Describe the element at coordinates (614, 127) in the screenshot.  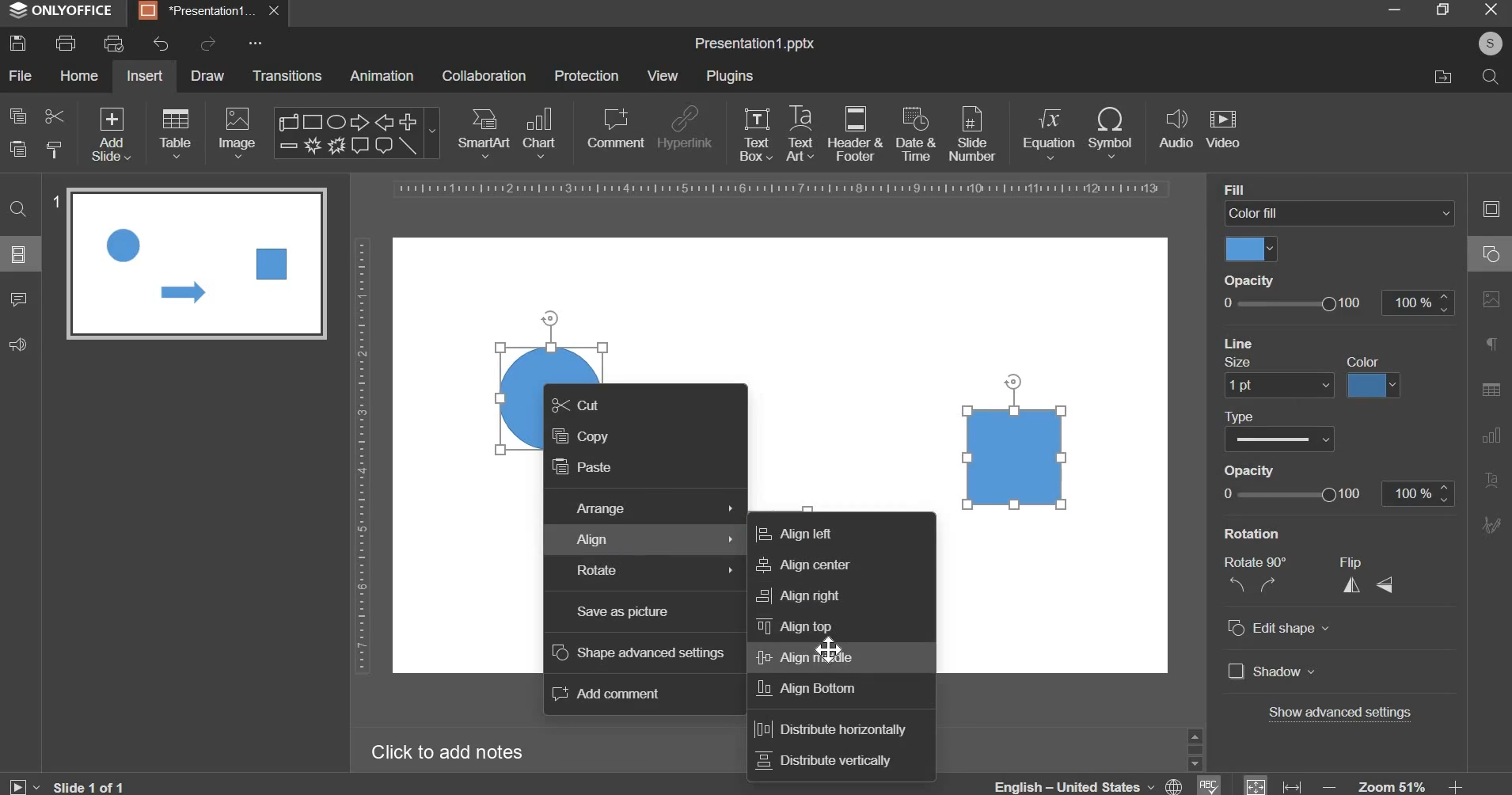
I see `comment` at that location.